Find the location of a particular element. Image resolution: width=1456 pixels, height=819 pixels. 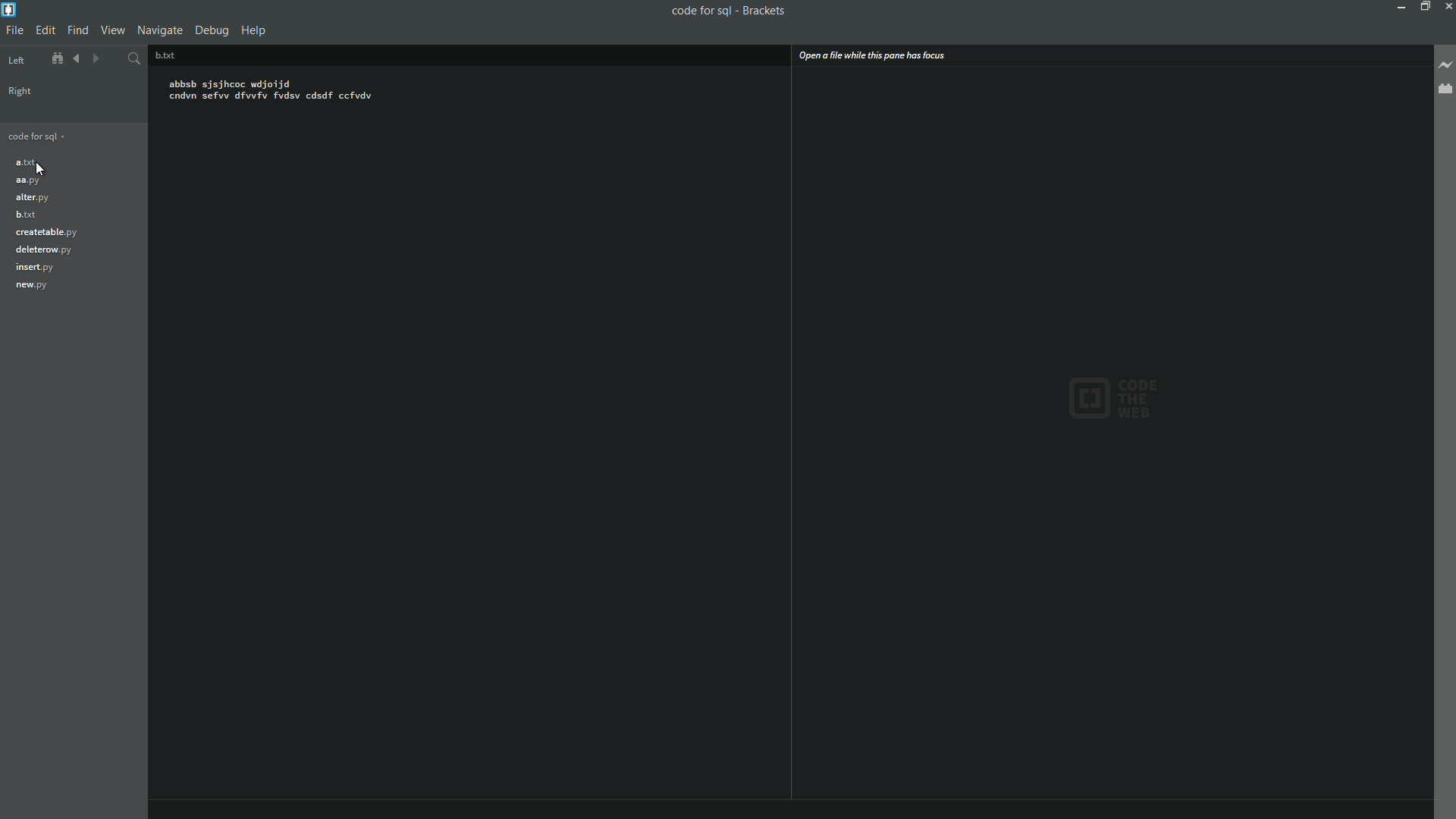

File name is located at coordinates (700, 11).